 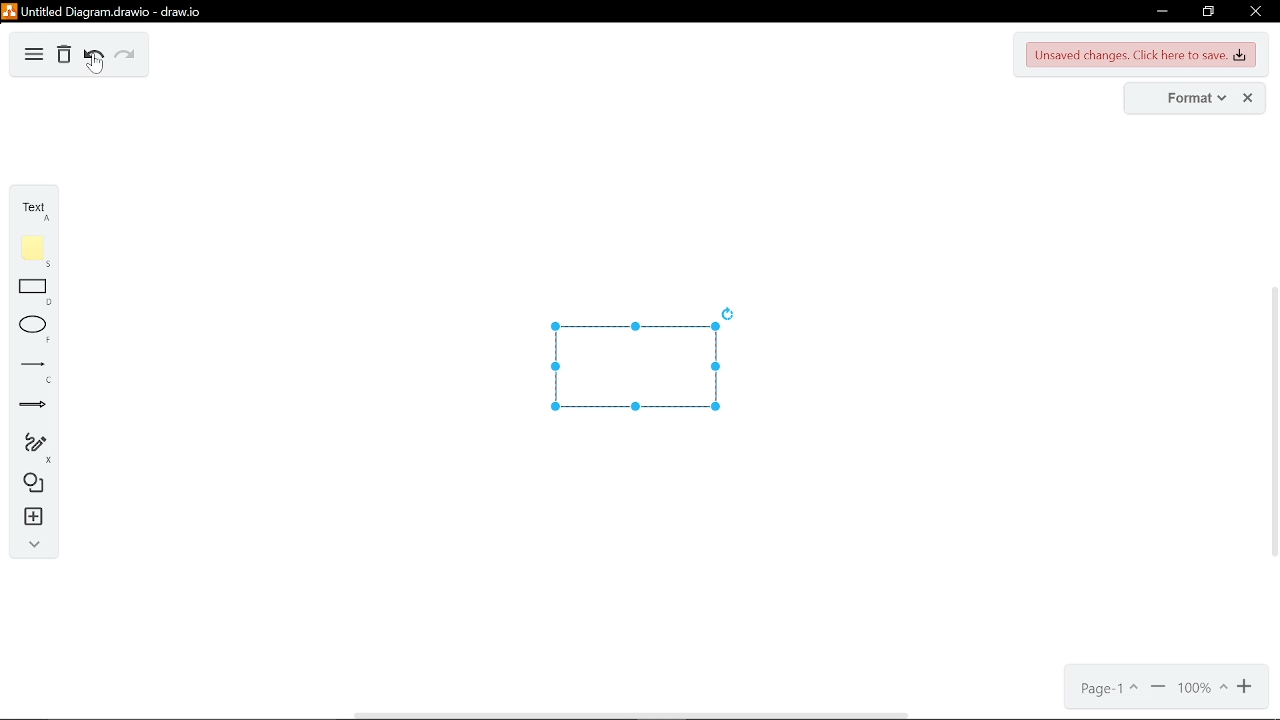 What do you see at coordinates (125, 56) in the screenshot?
I see `redo` at bounding box center [125, 56].